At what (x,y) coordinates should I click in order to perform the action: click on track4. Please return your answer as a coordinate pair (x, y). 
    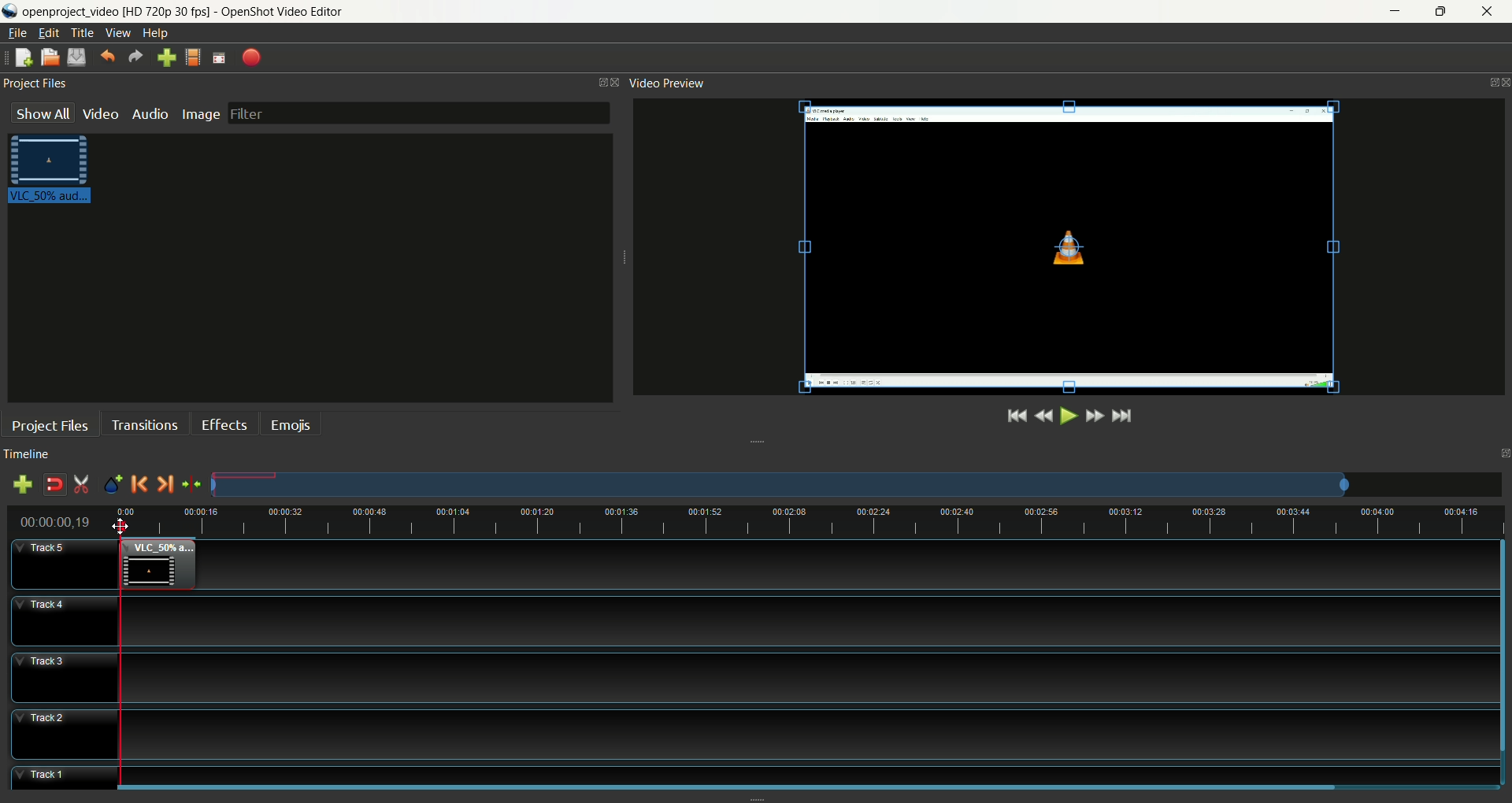
    Looking at the image, I should click on (64, 620).